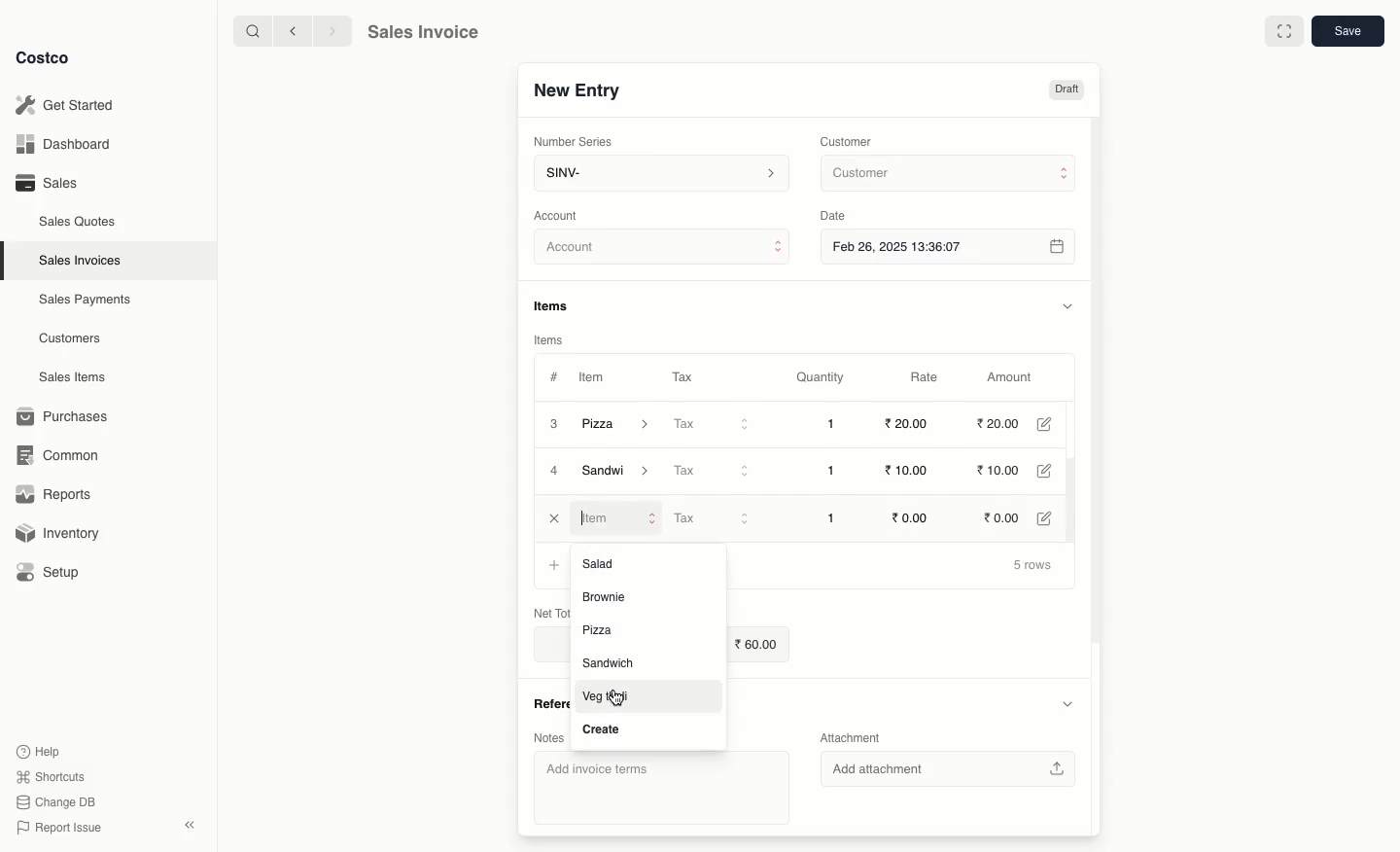 The width and height of the screenshot is (1400, 852). Describe the element at coordinates (332, 32) in the screenshot. I see `Forward` at that location.